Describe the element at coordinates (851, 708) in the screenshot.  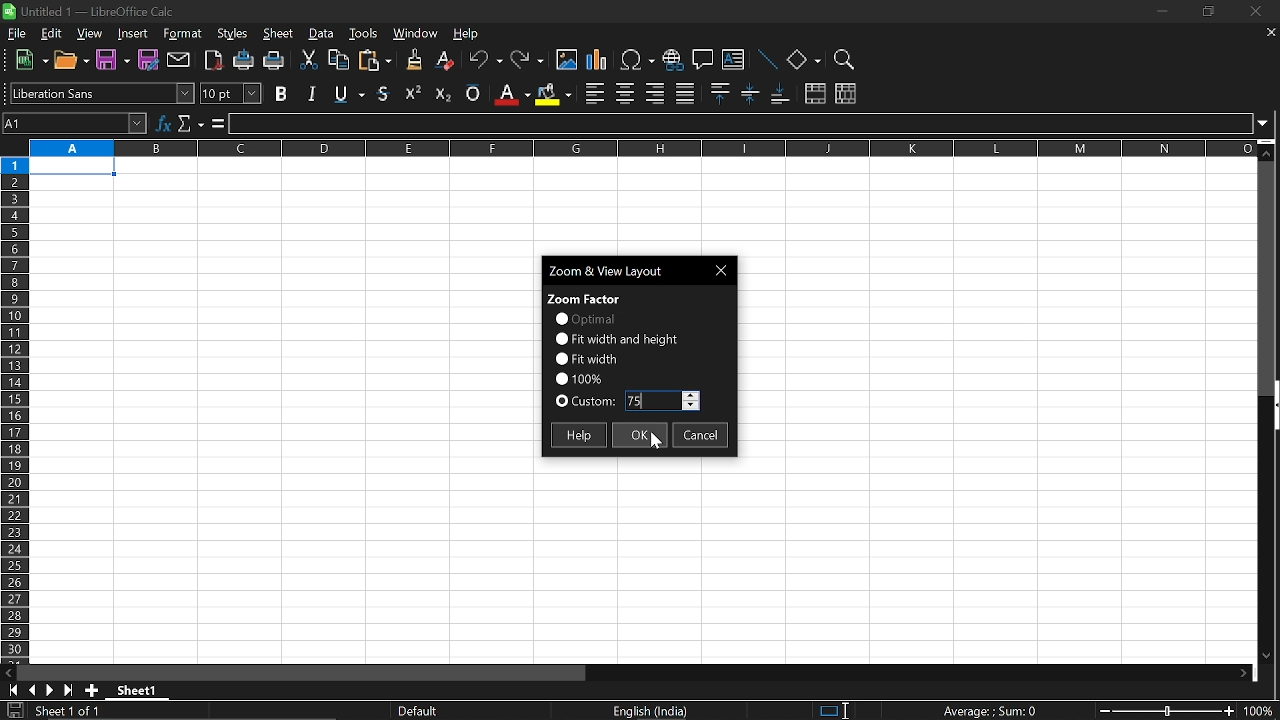
I see `Cursor` at that location.